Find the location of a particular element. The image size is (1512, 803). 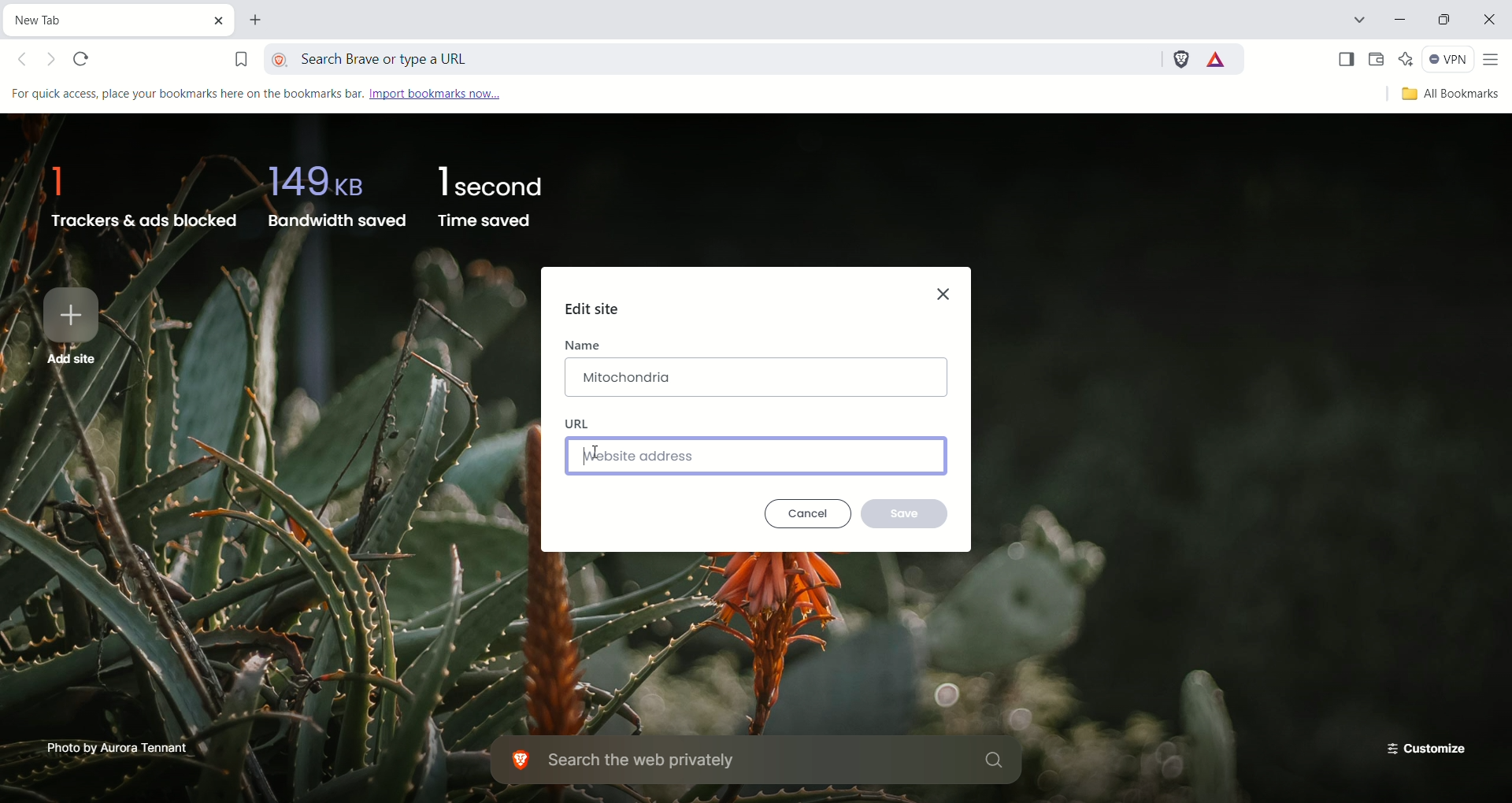

mitochondria is located at coordinates (757, 378).